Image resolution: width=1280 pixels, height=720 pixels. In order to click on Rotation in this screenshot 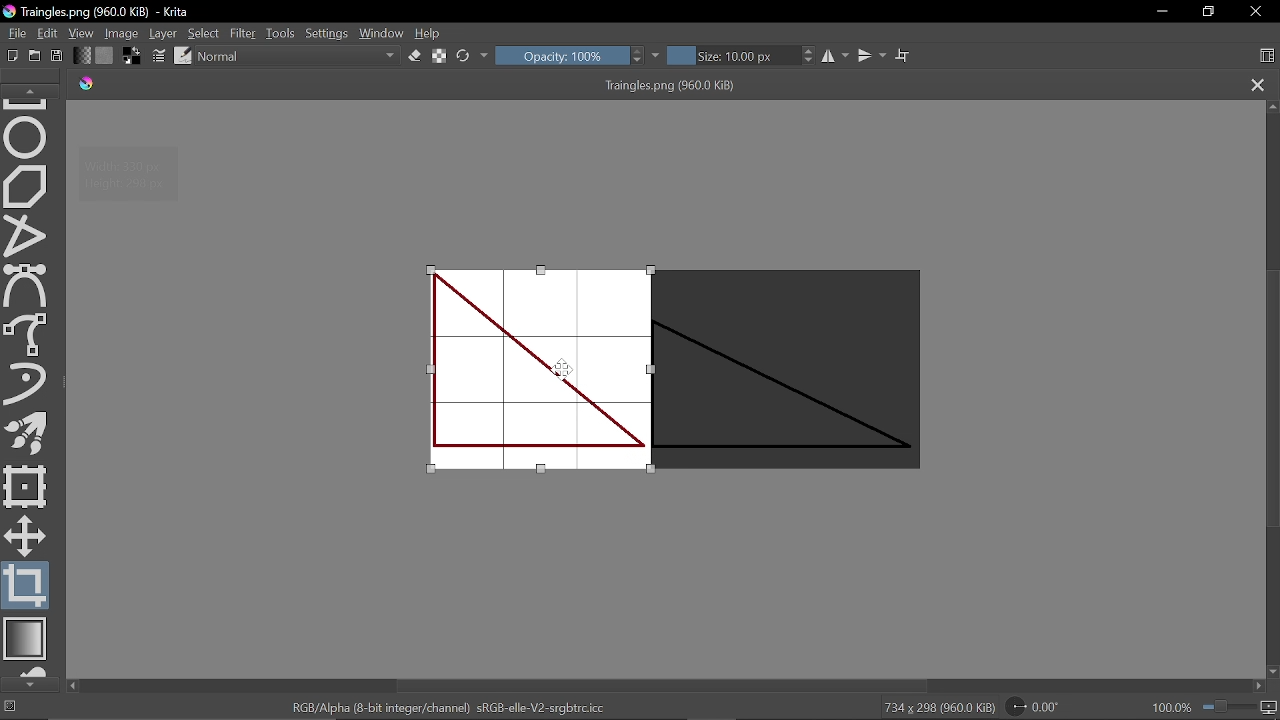, I will do `click(1039, 707)`.